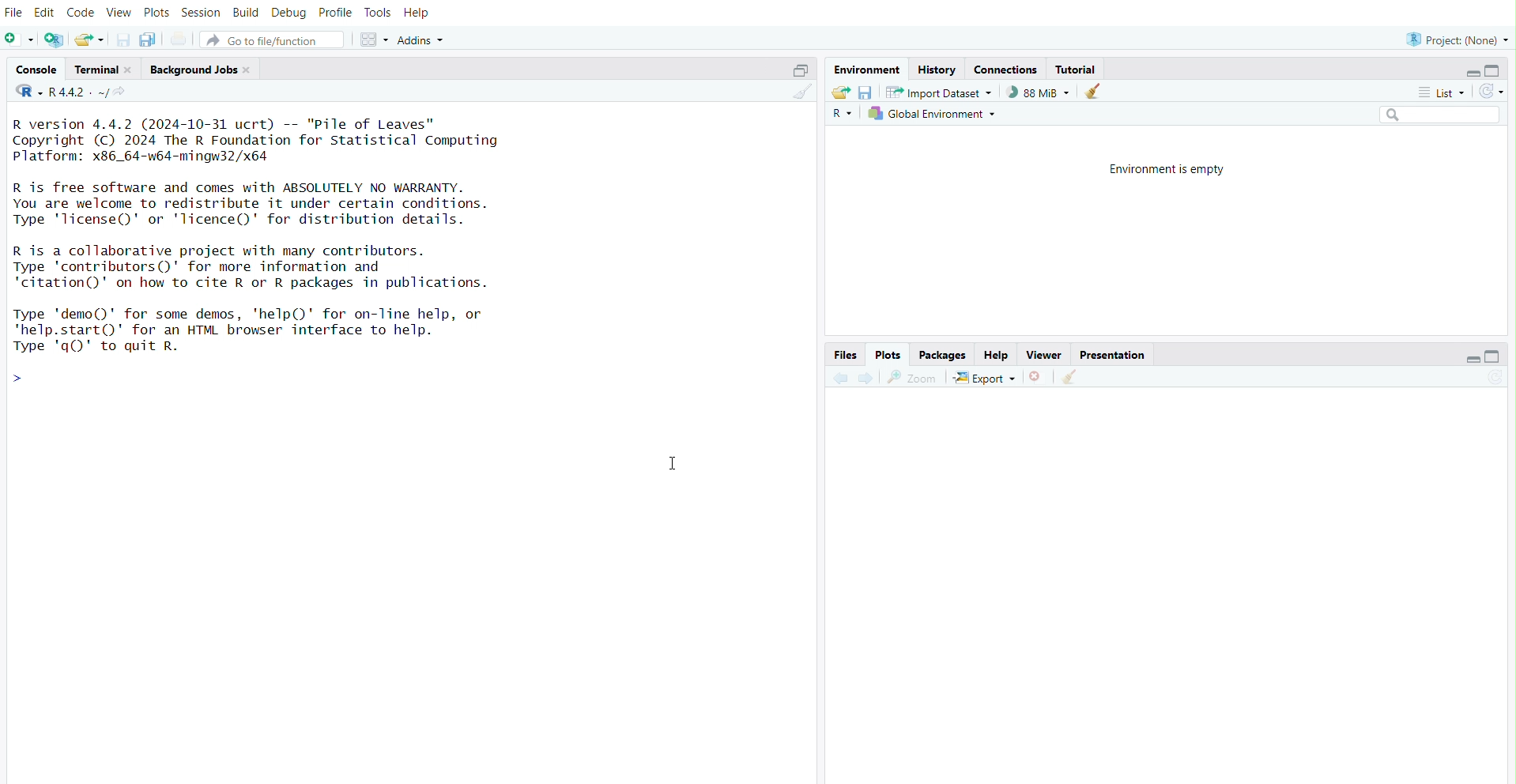 The width and height of the screenshot is (1516, 784). Describe the element at coordinates (941, 92) in the screenshot. I see `import dataset` at that location.